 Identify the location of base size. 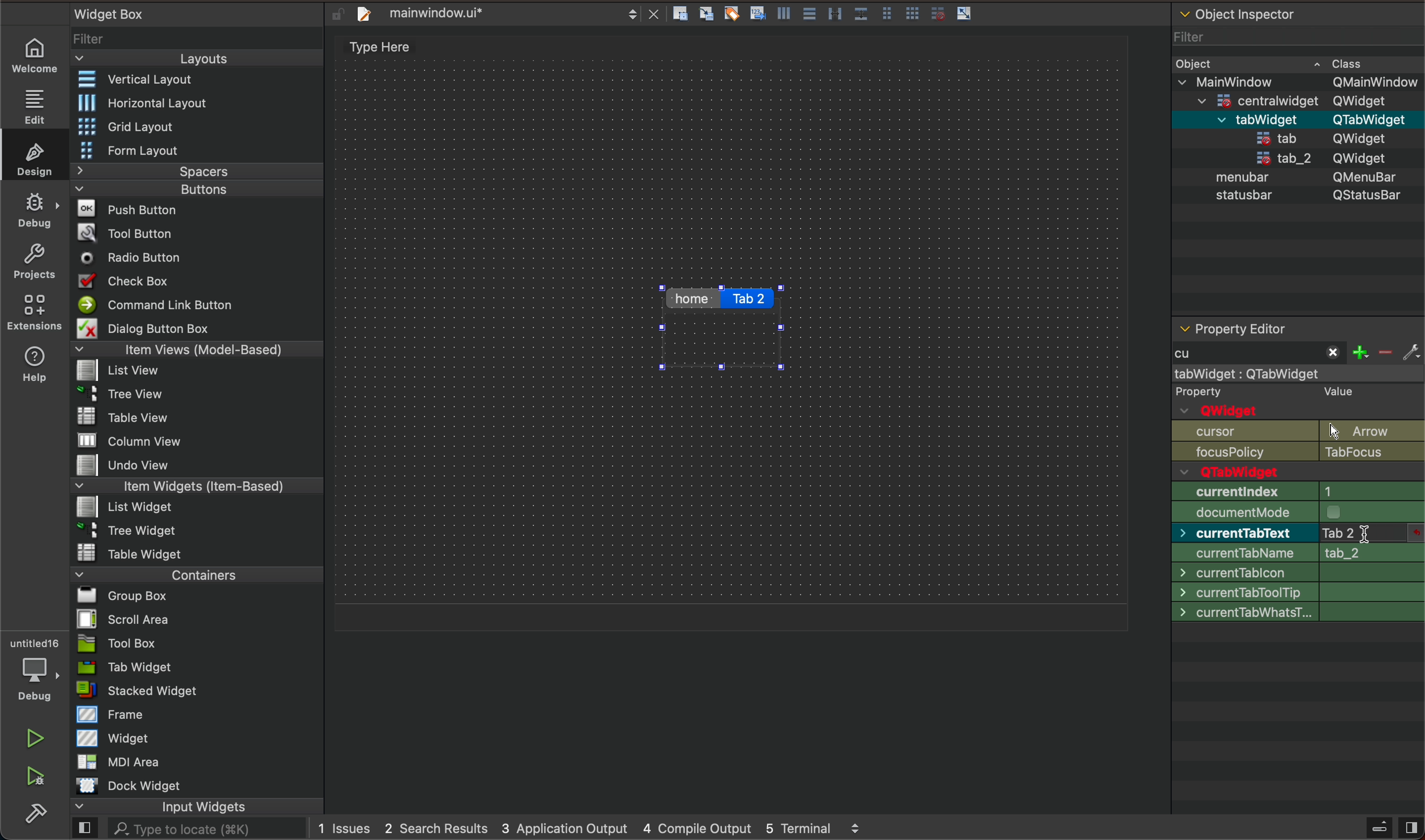
(1298, 589).